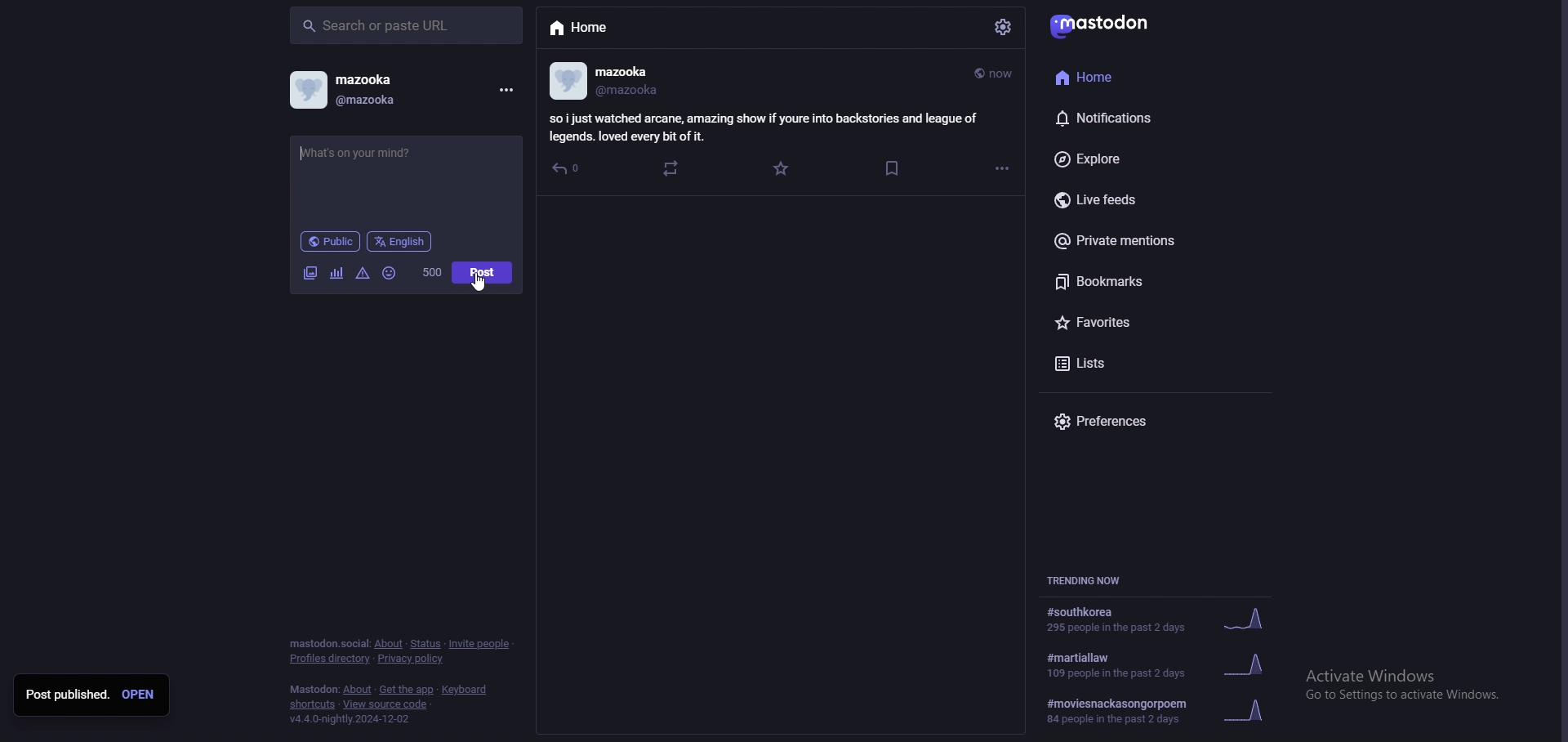 This screenshot has width=1568, height=742. I want to click on post, so click(481, 273).